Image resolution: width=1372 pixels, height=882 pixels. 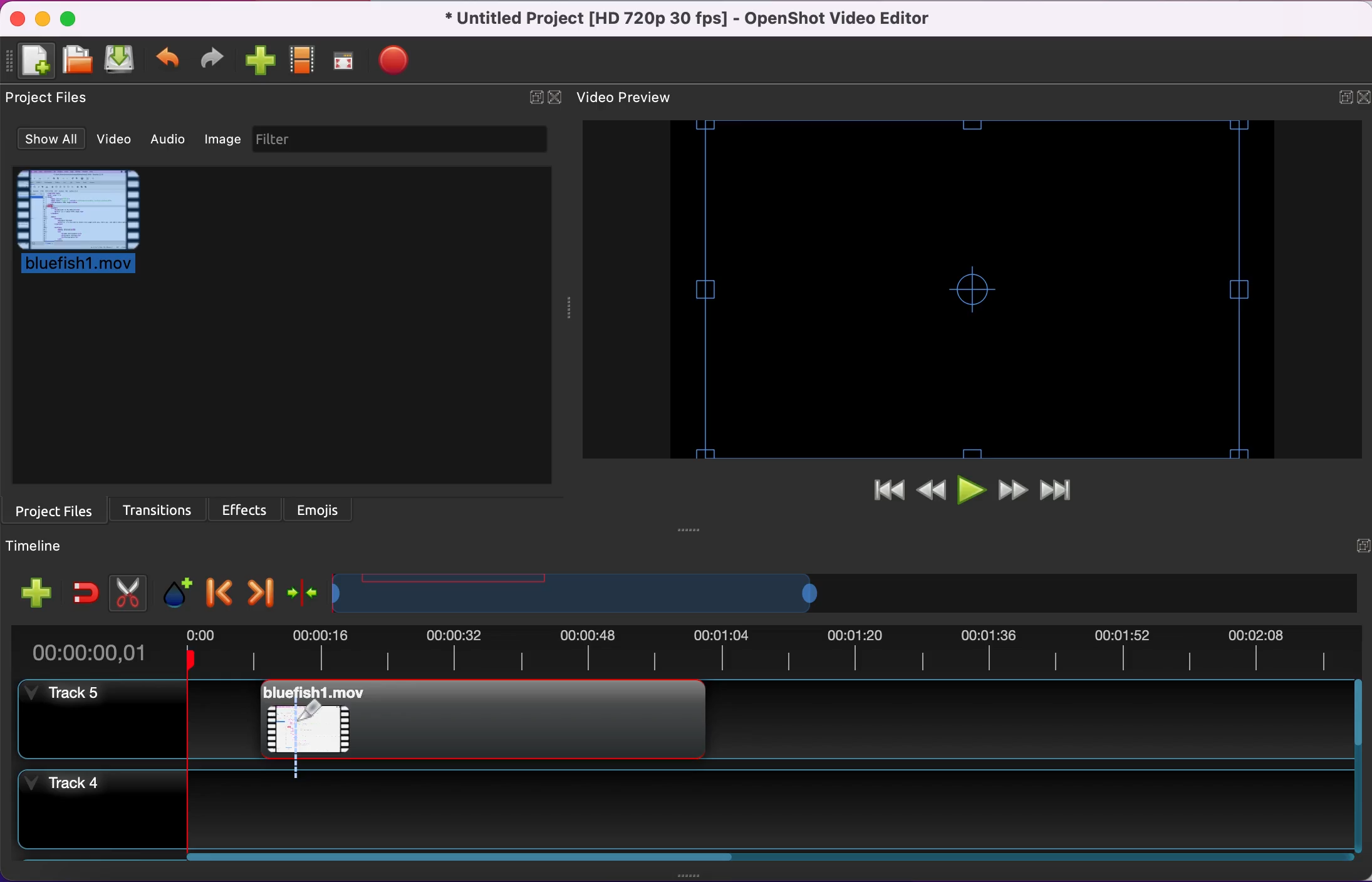 I want to click on minimize, so click(x=44, y=19).